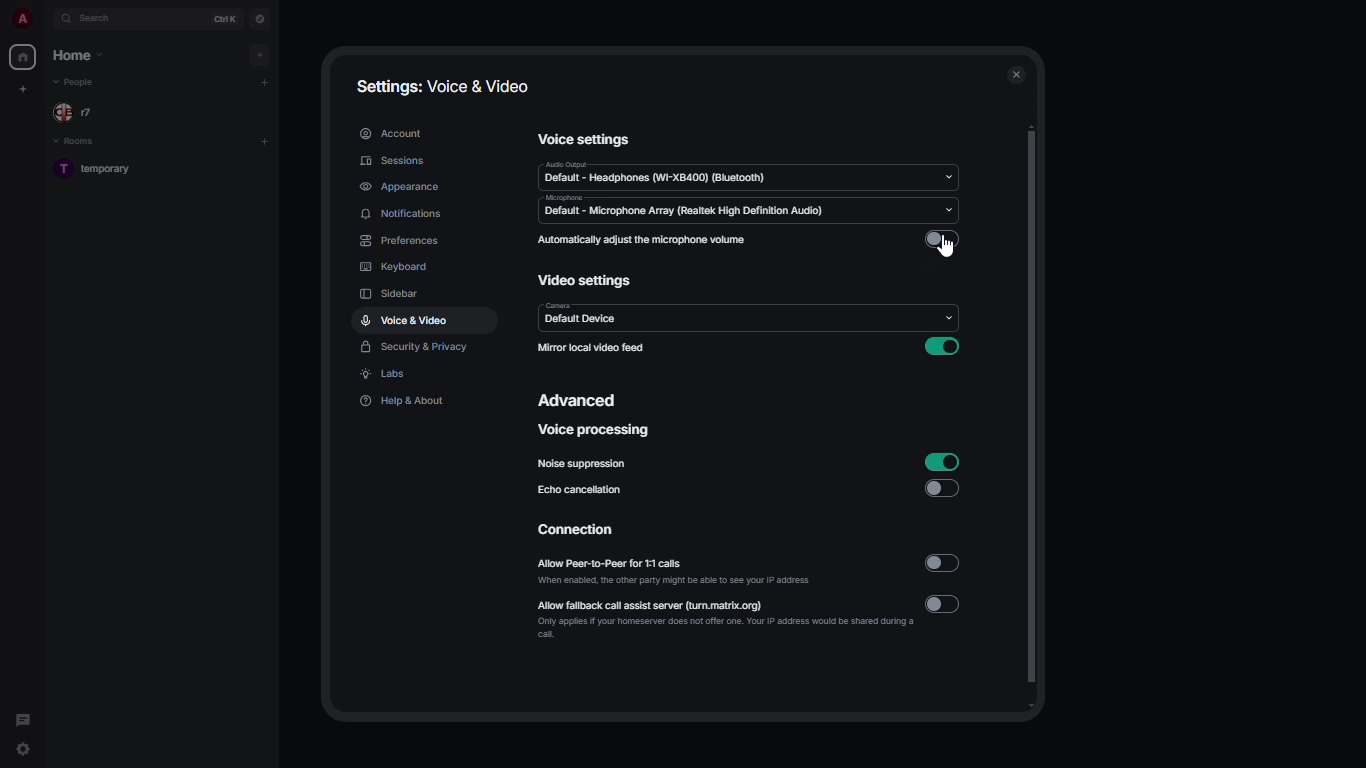 The width and height of the screenshot is (1366, 768). Describe the element at coordinates (261, 21) in the screenshot. I see `navigator` at that location.